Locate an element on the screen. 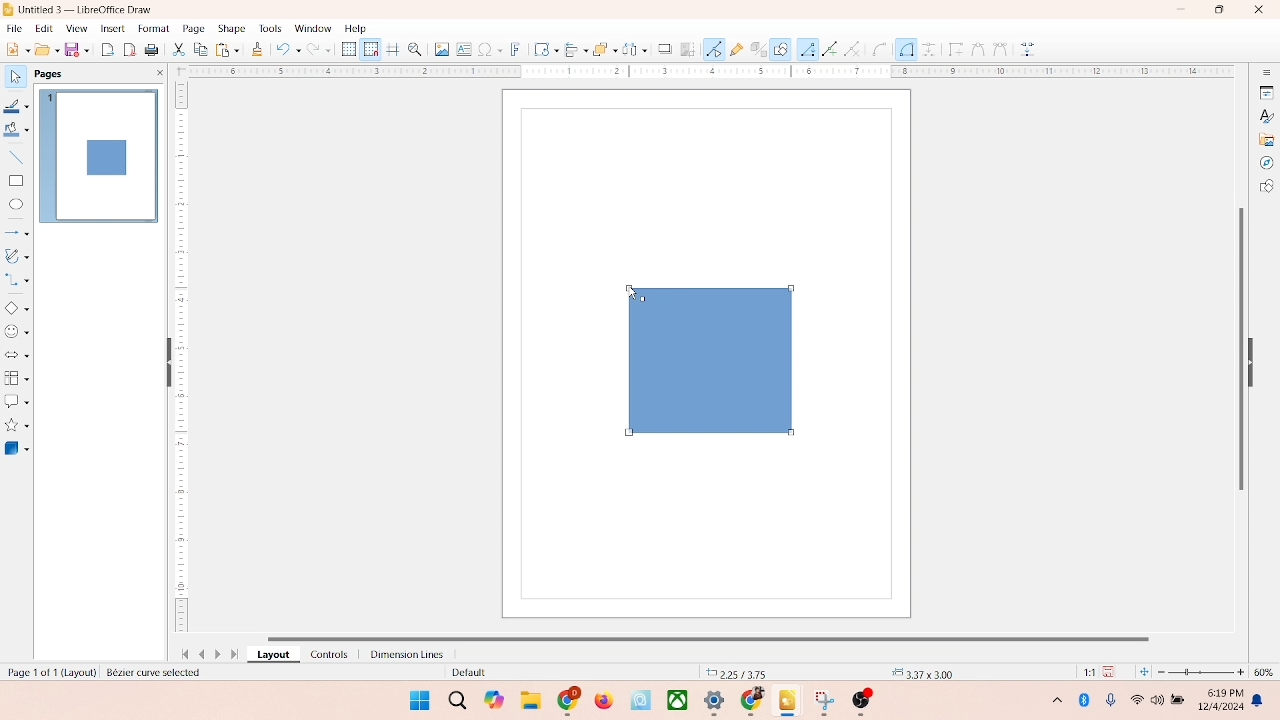  shapes is located at coordinates (706, 359).